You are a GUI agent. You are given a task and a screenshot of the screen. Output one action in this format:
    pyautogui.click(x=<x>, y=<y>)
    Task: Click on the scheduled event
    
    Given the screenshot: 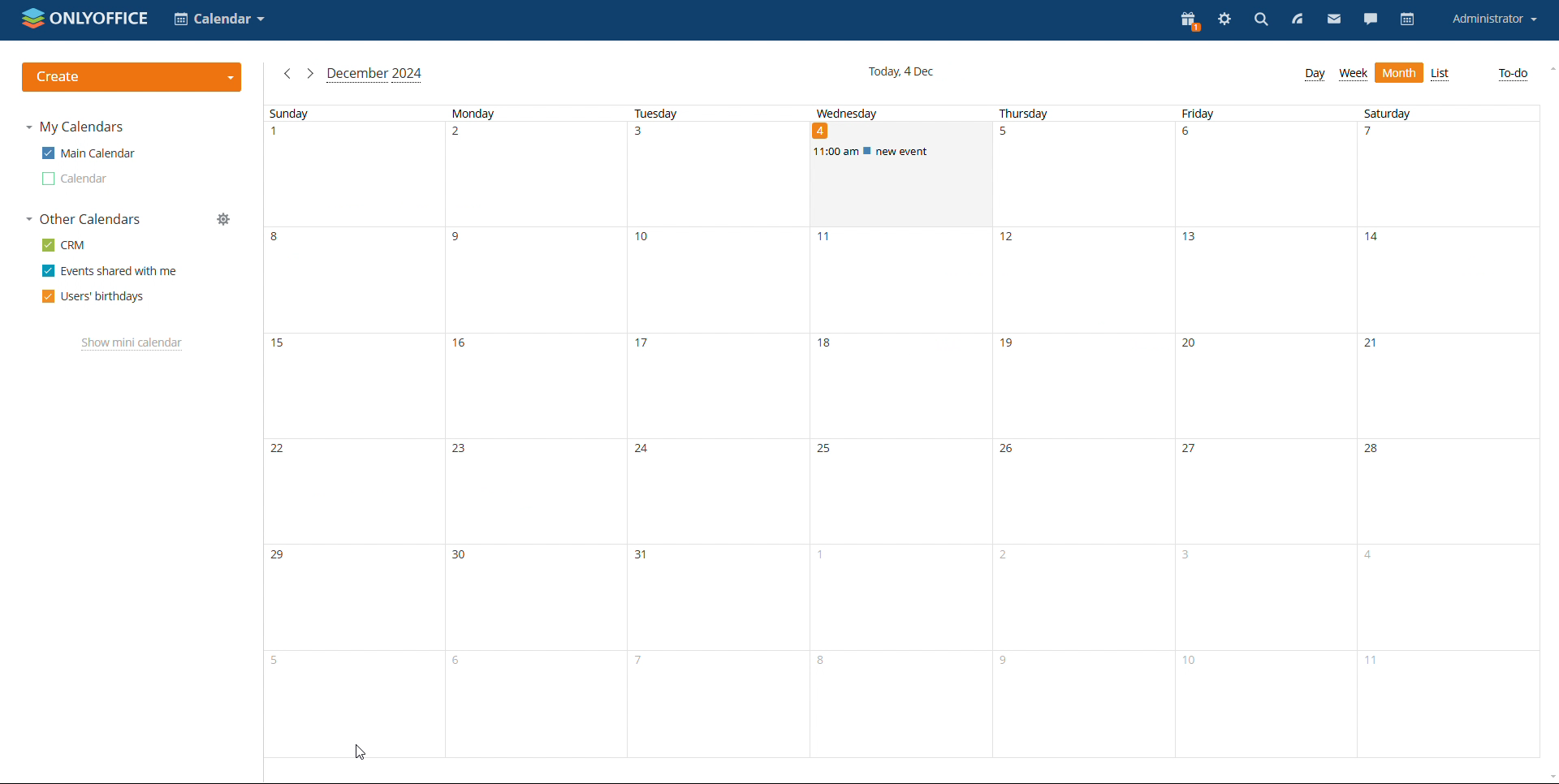 What is the action you would take?
    pyautogui.click(x=901, y=152)
    